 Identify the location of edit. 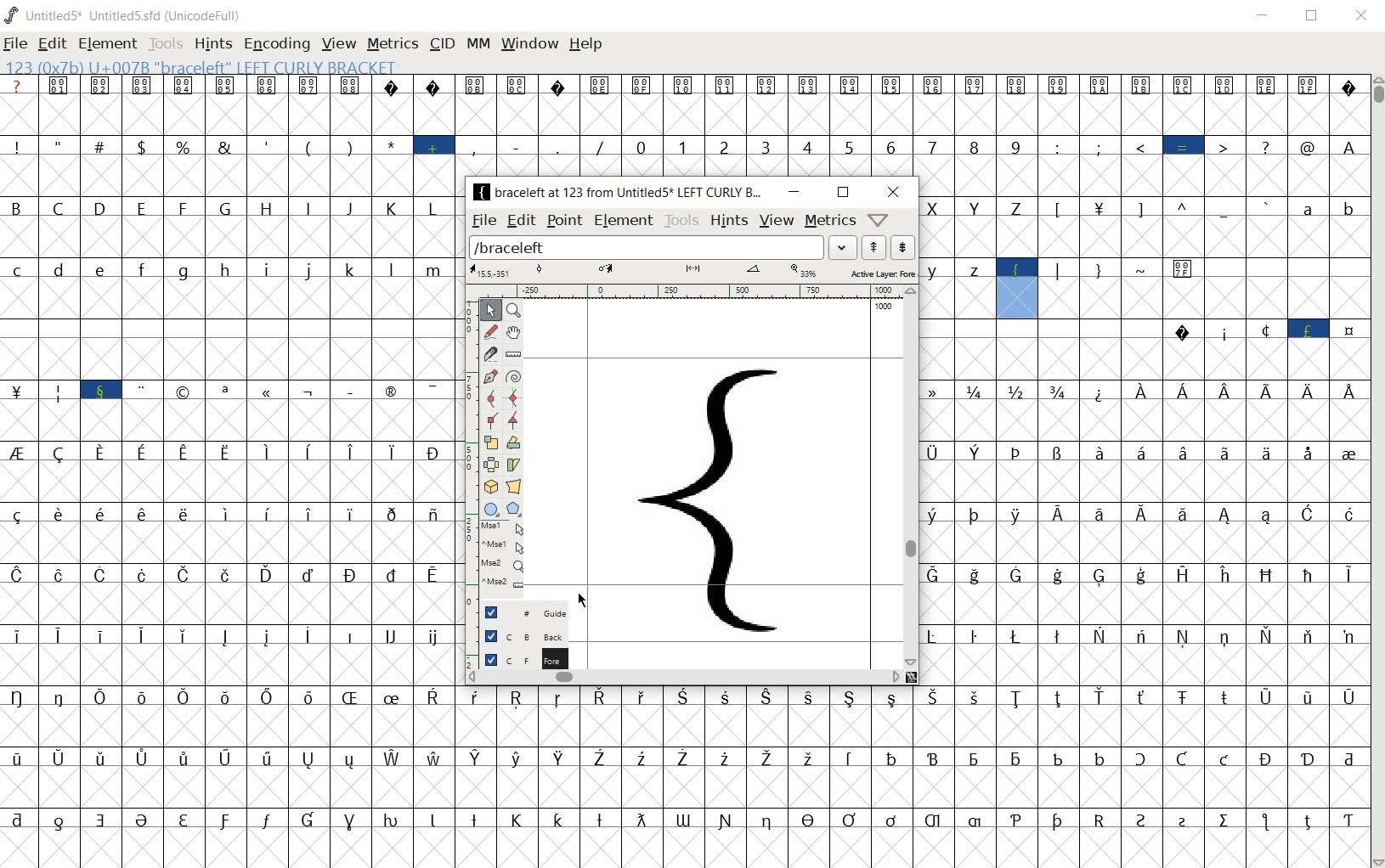
(522, 220).